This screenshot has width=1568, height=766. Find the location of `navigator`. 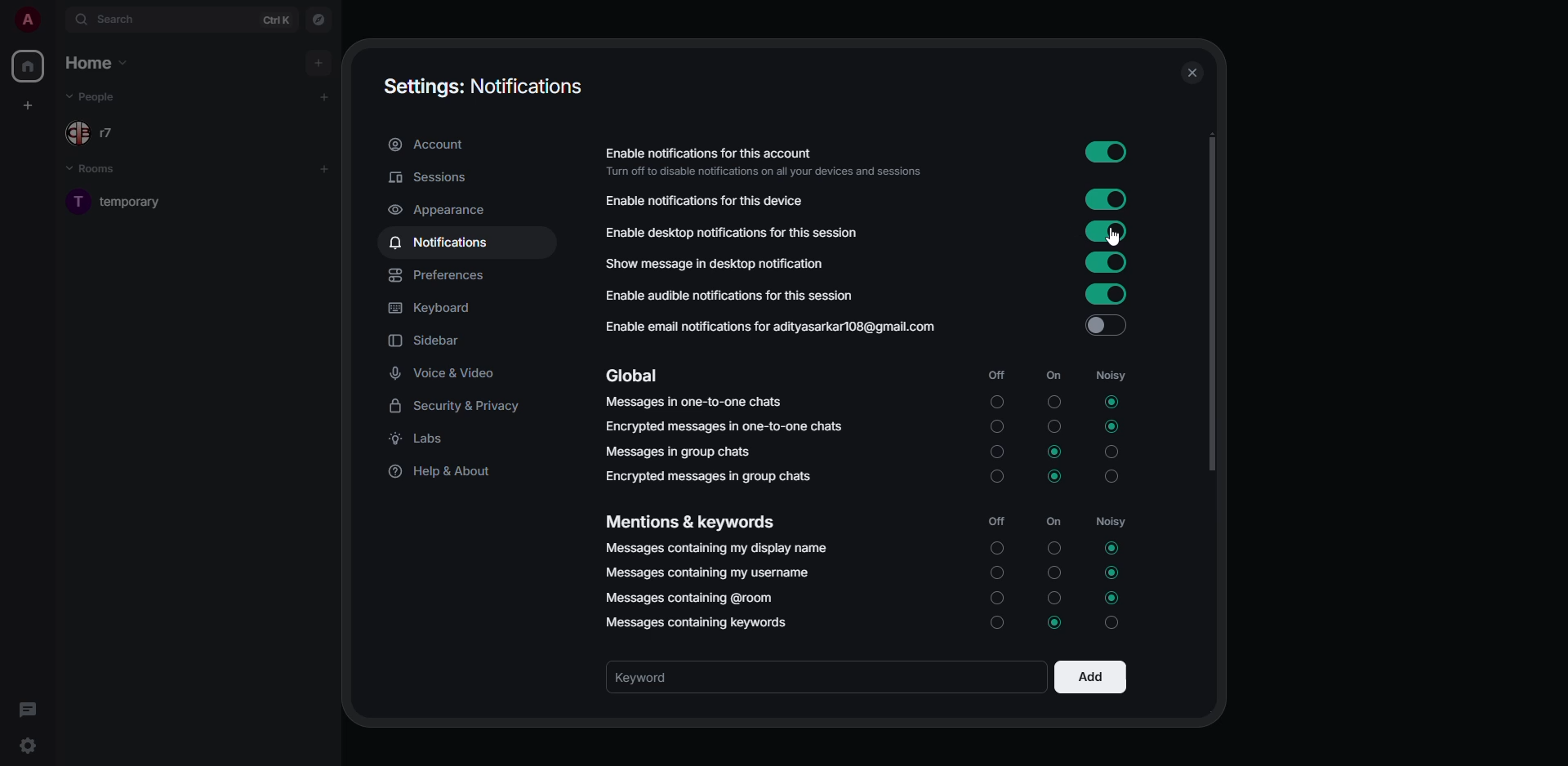

navigator is located at coordinates (318, 19).